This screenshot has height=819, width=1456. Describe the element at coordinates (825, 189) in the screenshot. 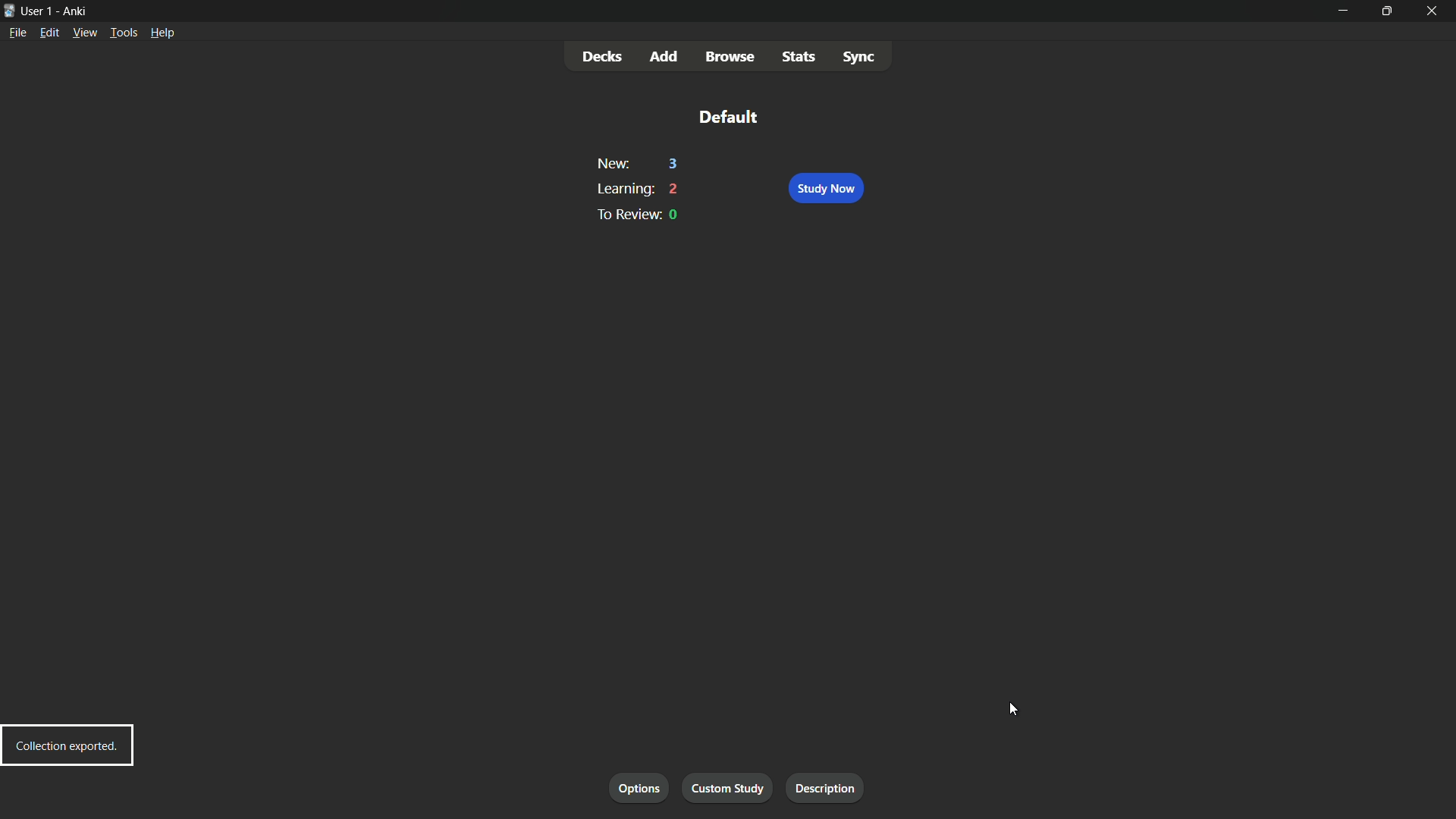

I see `study now` at that location.